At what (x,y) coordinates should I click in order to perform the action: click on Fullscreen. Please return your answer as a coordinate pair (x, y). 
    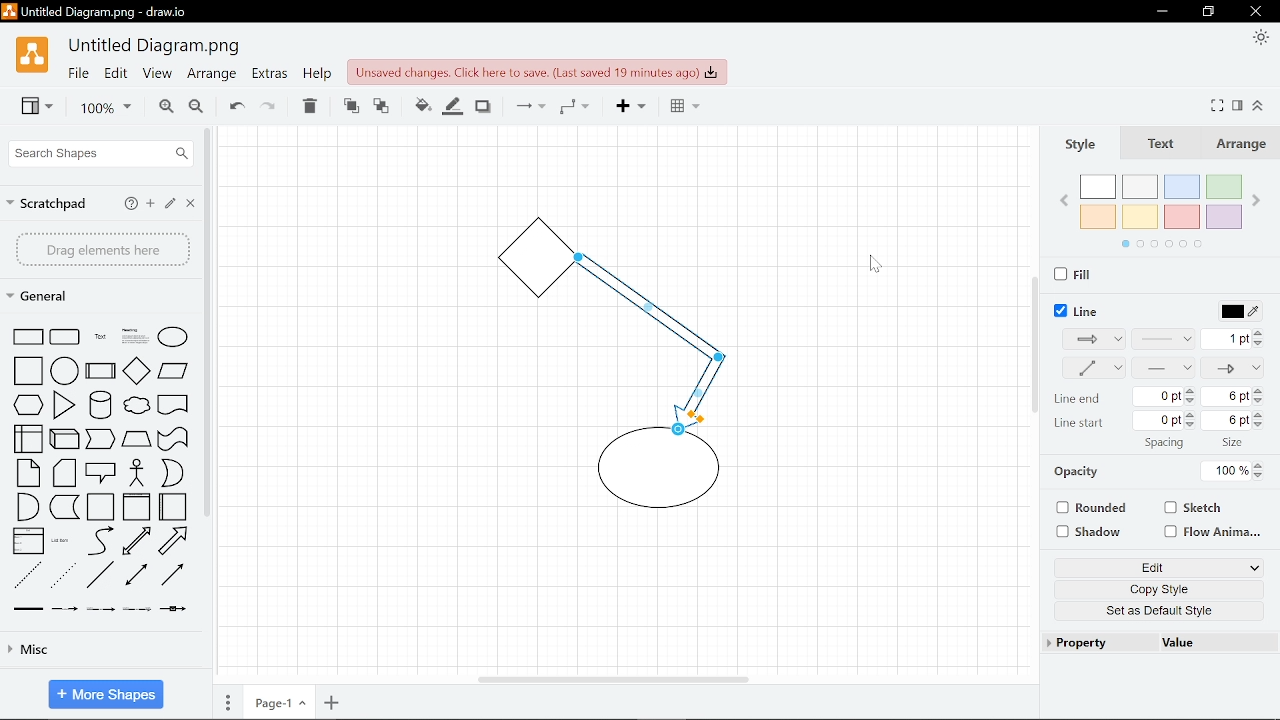
    Looking at the image, I should click on (1219, 105).